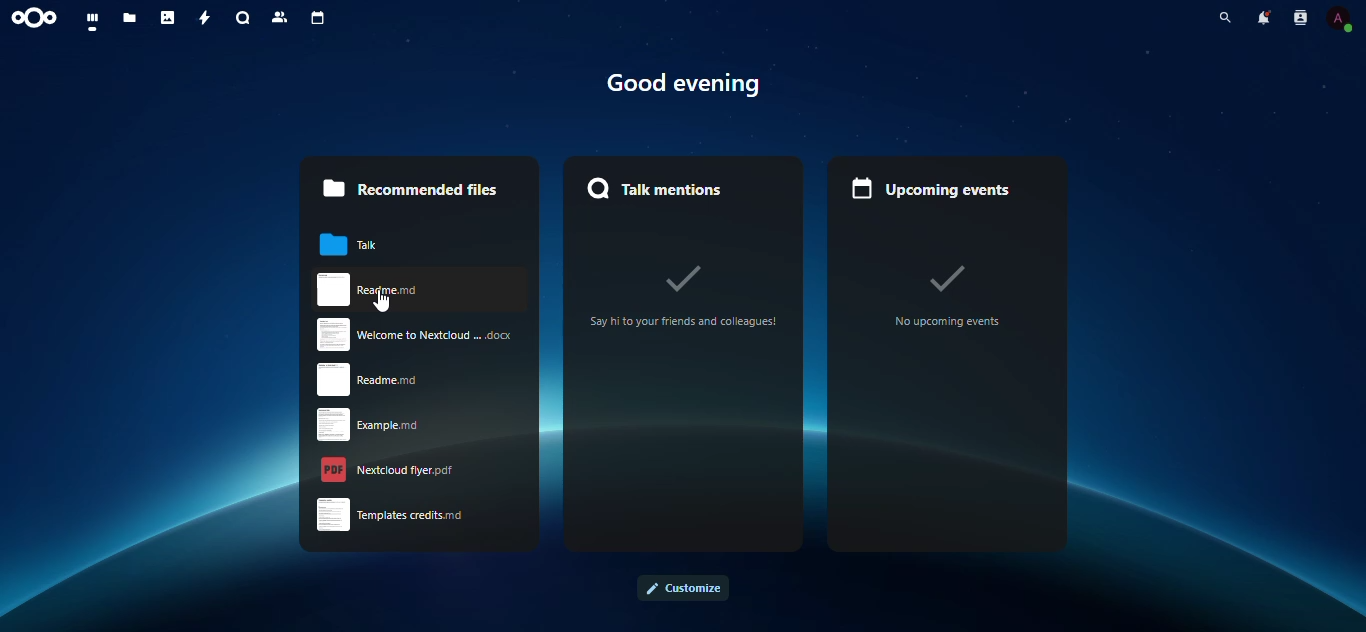 The height and width of the screenshot is (632, 1366). What do you see at coordinates (363, 244) in the screenshot?
I see `talk` at bounding box center [363, 244].